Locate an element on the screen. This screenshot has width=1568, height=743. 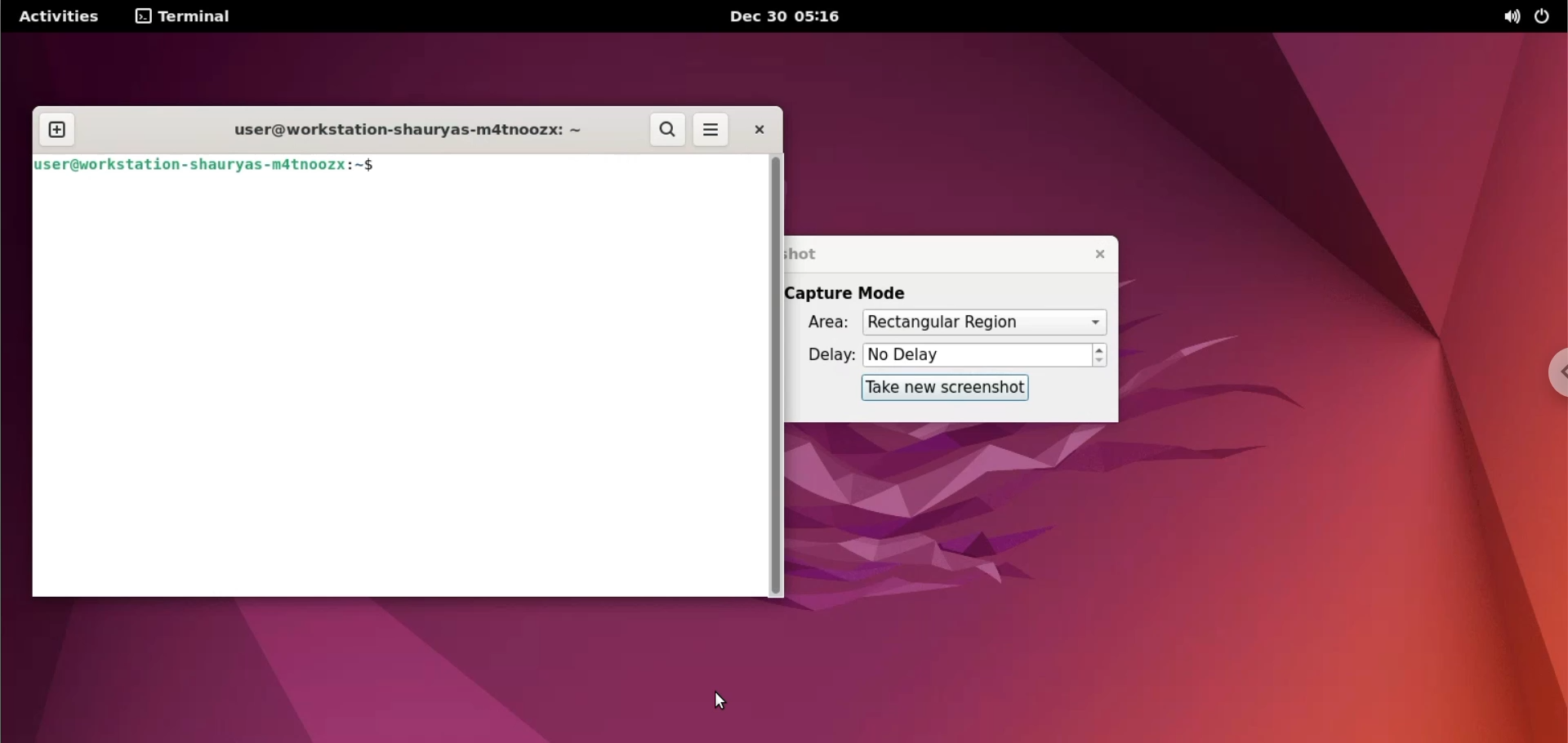
capture mode label is located at coordinates (861, 293).